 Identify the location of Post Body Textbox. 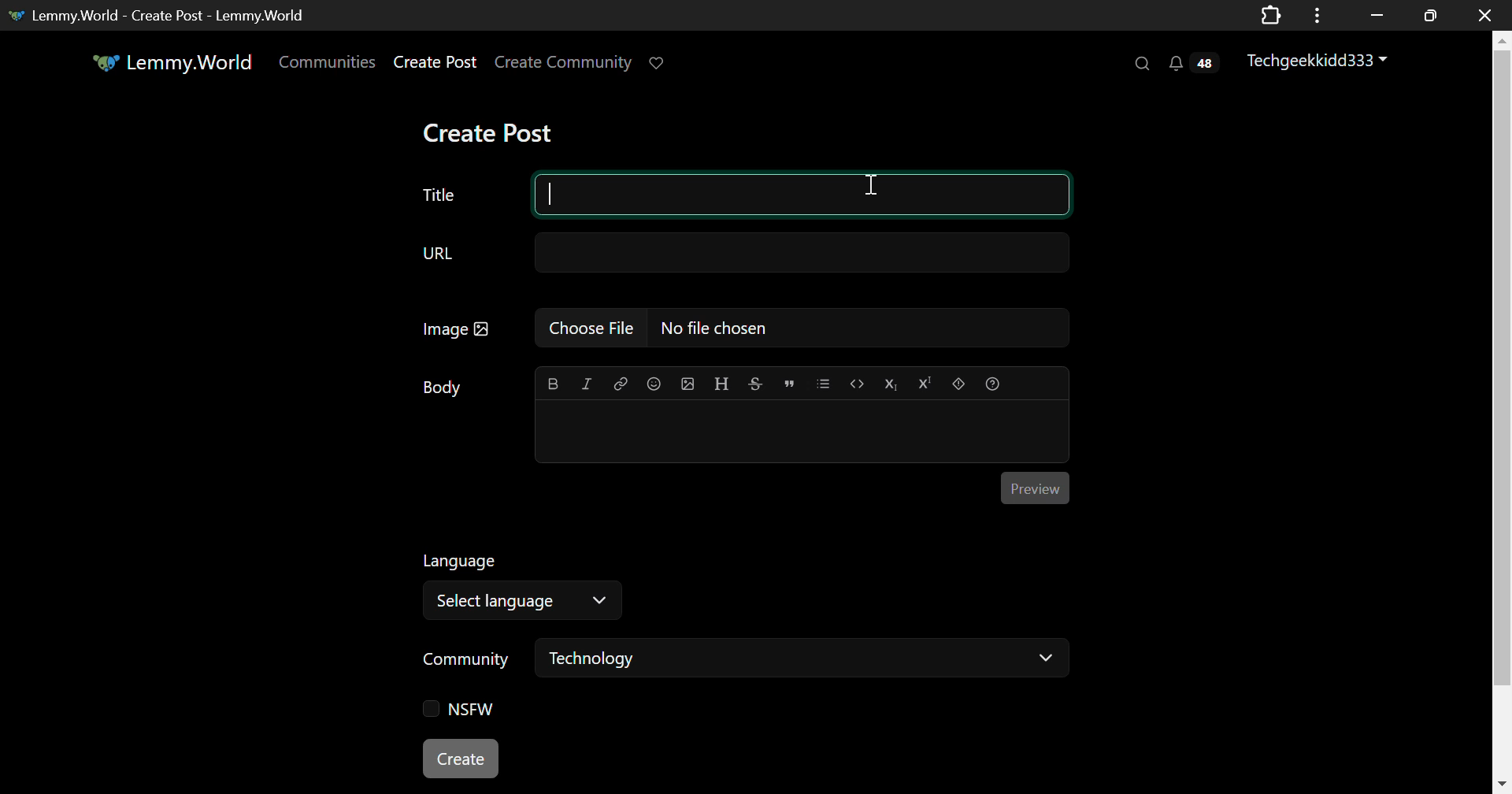
(802, 432).